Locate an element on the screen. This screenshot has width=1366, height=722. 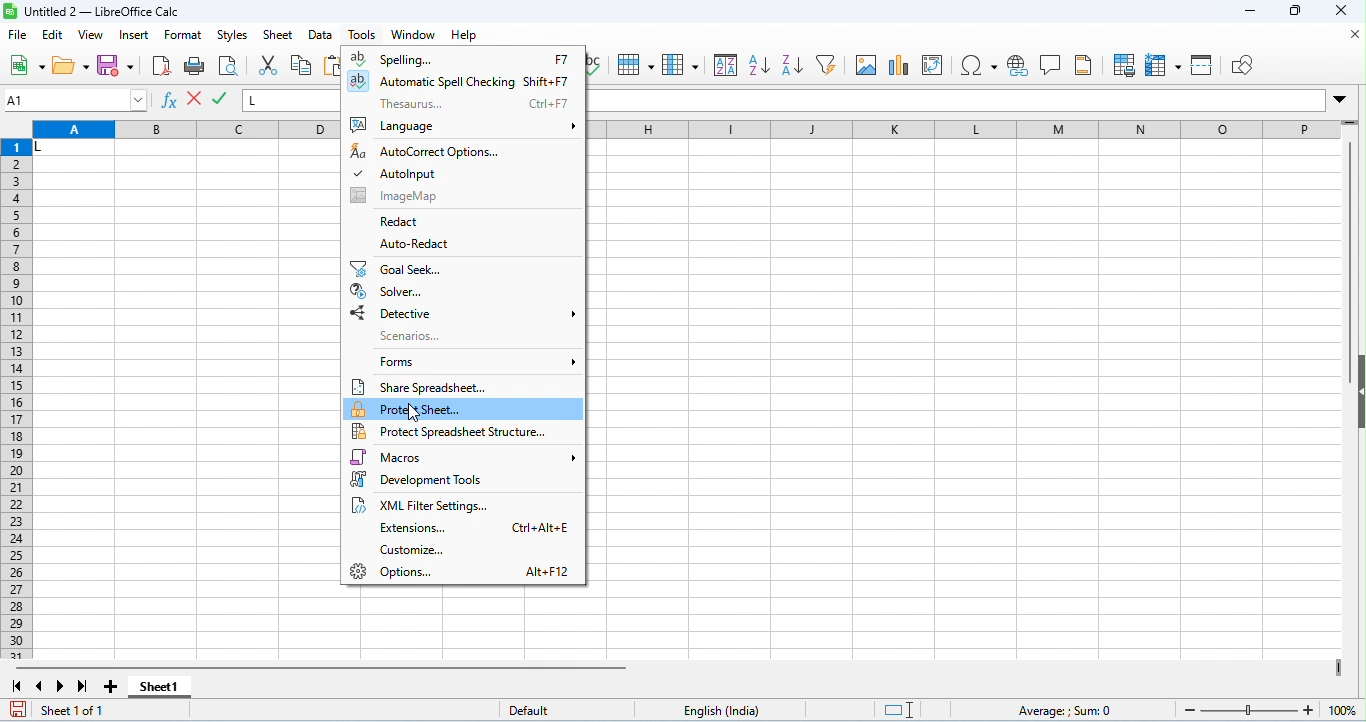
zoom is located at coordinates (1266, 708).